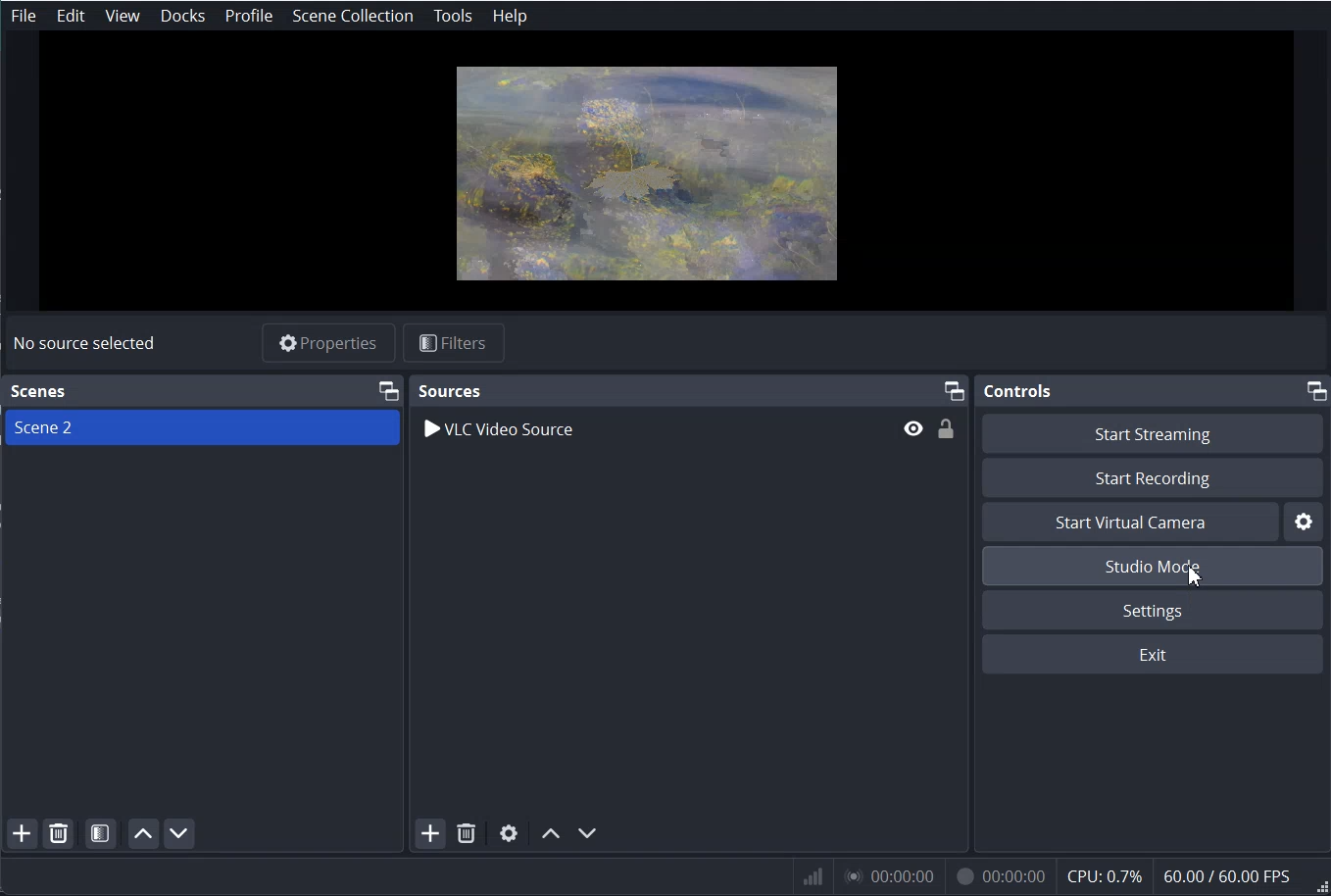  What do you see at coordinates (181, 16) in the screenshot?
I see `Docks` at bounding box center [181, 16].